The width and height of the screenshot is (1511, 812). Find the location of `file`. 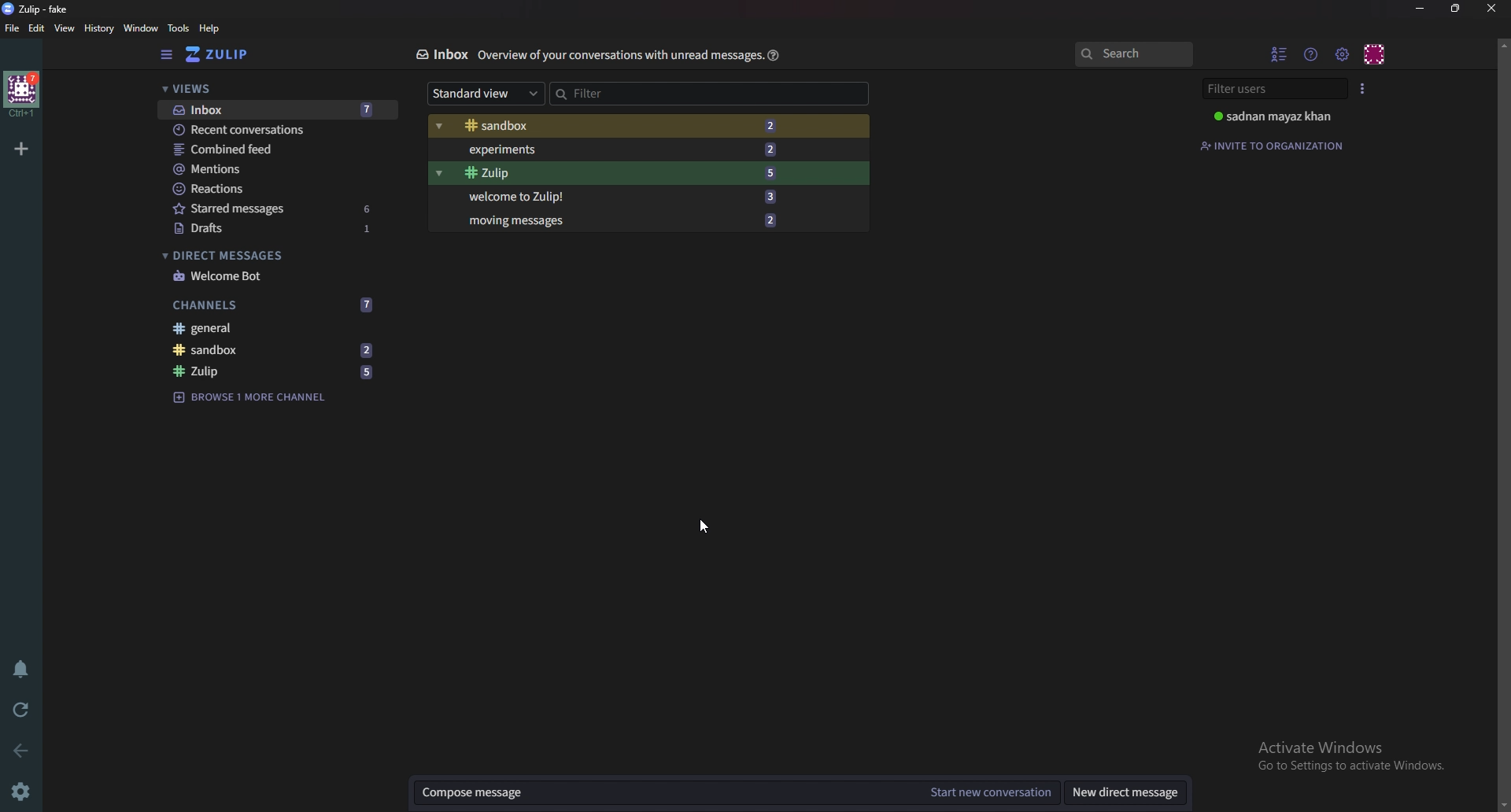

file is located at coordinates (13, 28).